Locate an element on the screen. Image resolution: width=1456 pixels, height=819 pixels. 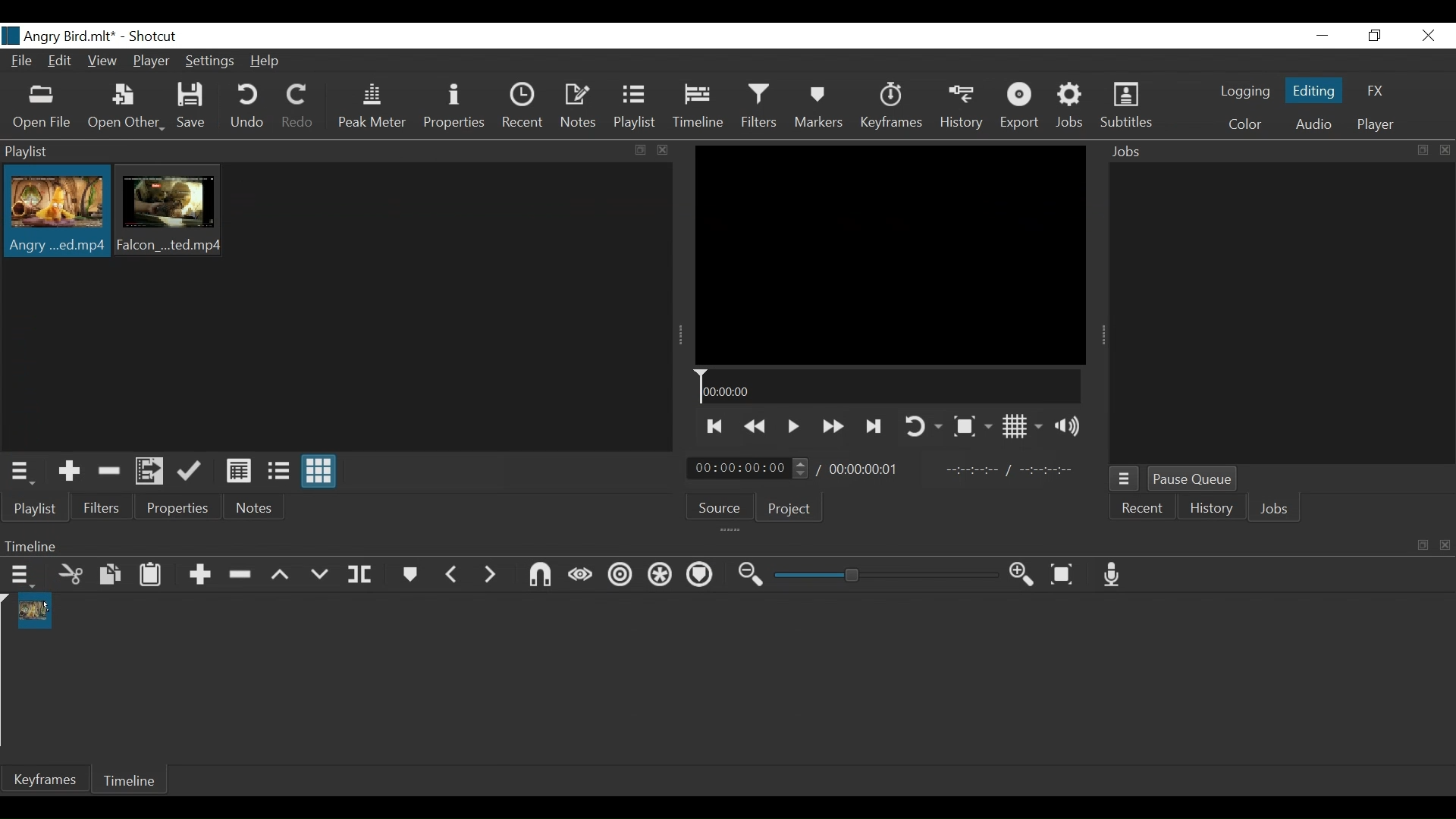
Current Duration is located at coordinates (748, 469).